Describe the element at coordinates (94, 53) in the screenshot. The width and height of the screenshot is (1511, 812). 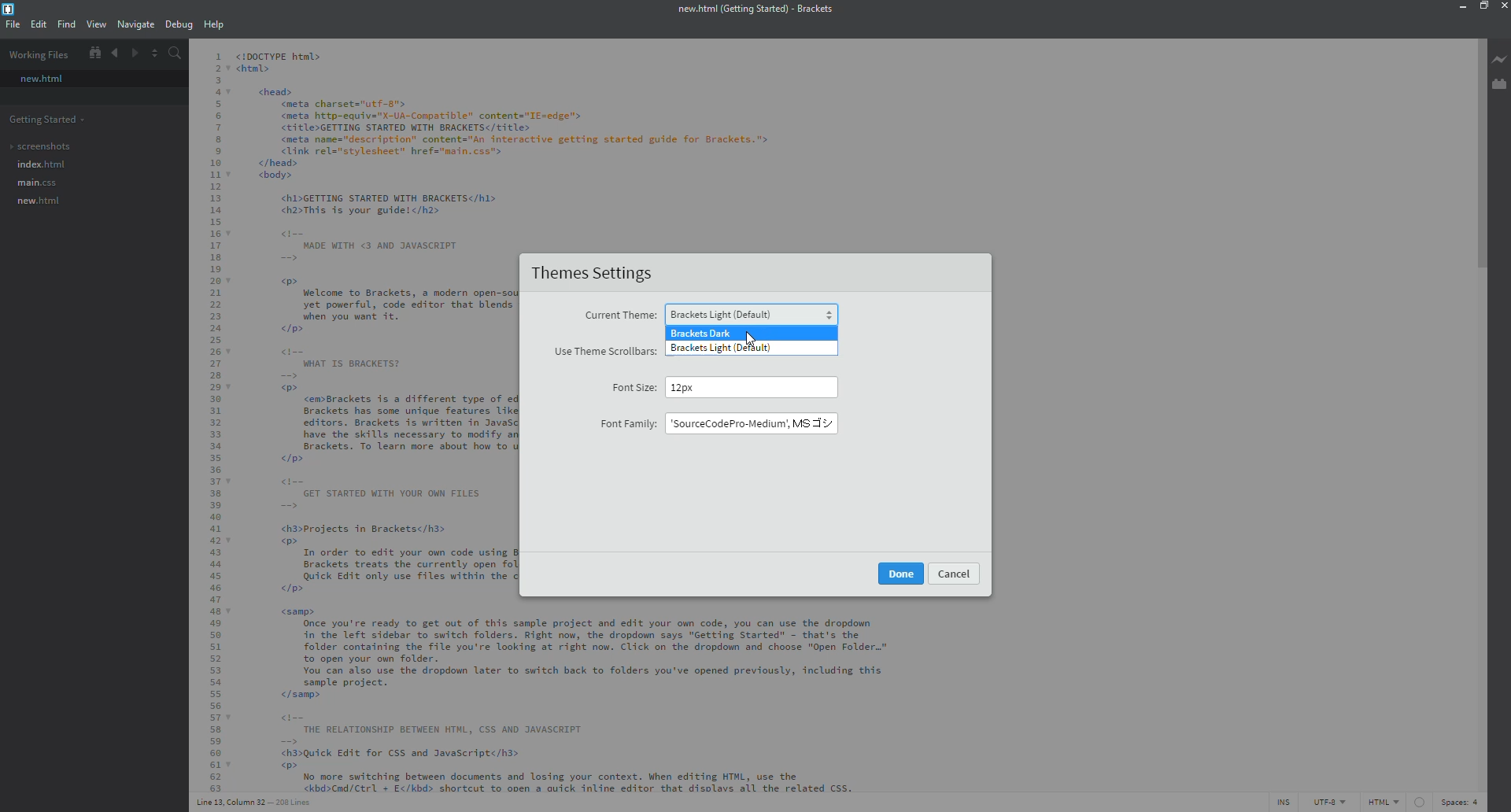
I see `show in file tree` at that location.